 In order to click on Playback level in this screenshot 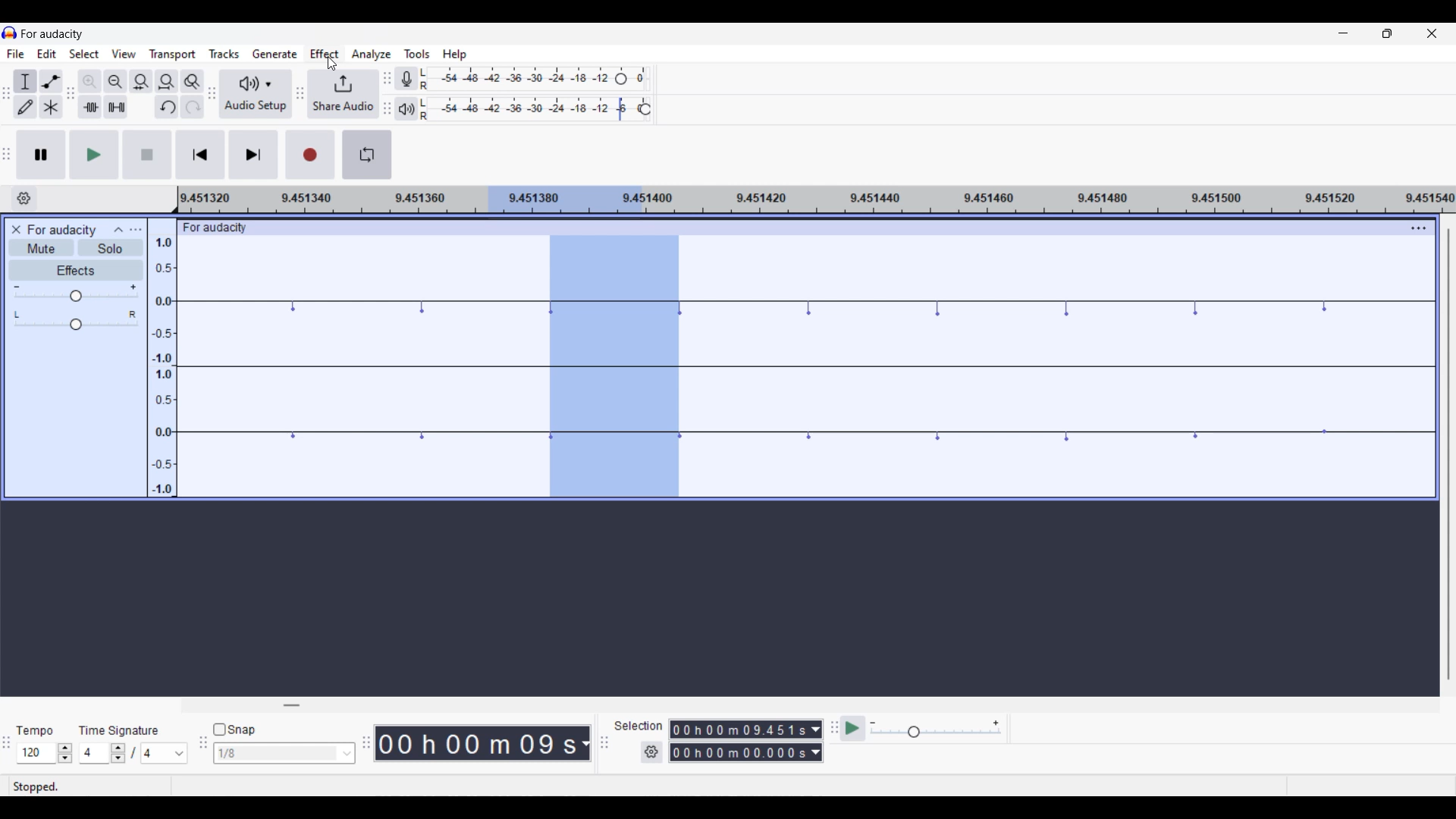, I will do `click(537, 109)`.